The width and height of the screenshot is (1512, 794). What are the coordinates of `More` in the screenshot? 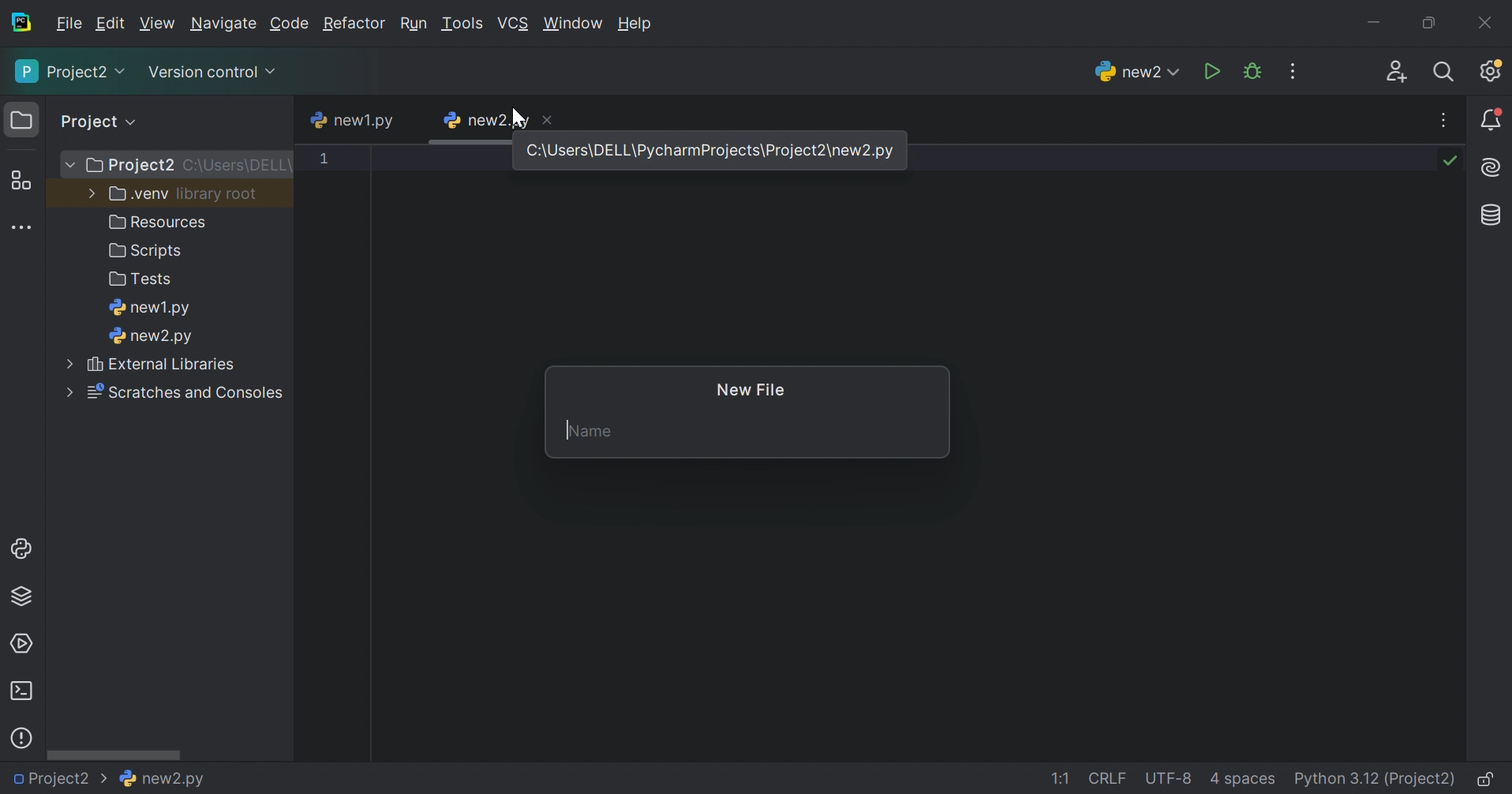 It's located at (67, 164).